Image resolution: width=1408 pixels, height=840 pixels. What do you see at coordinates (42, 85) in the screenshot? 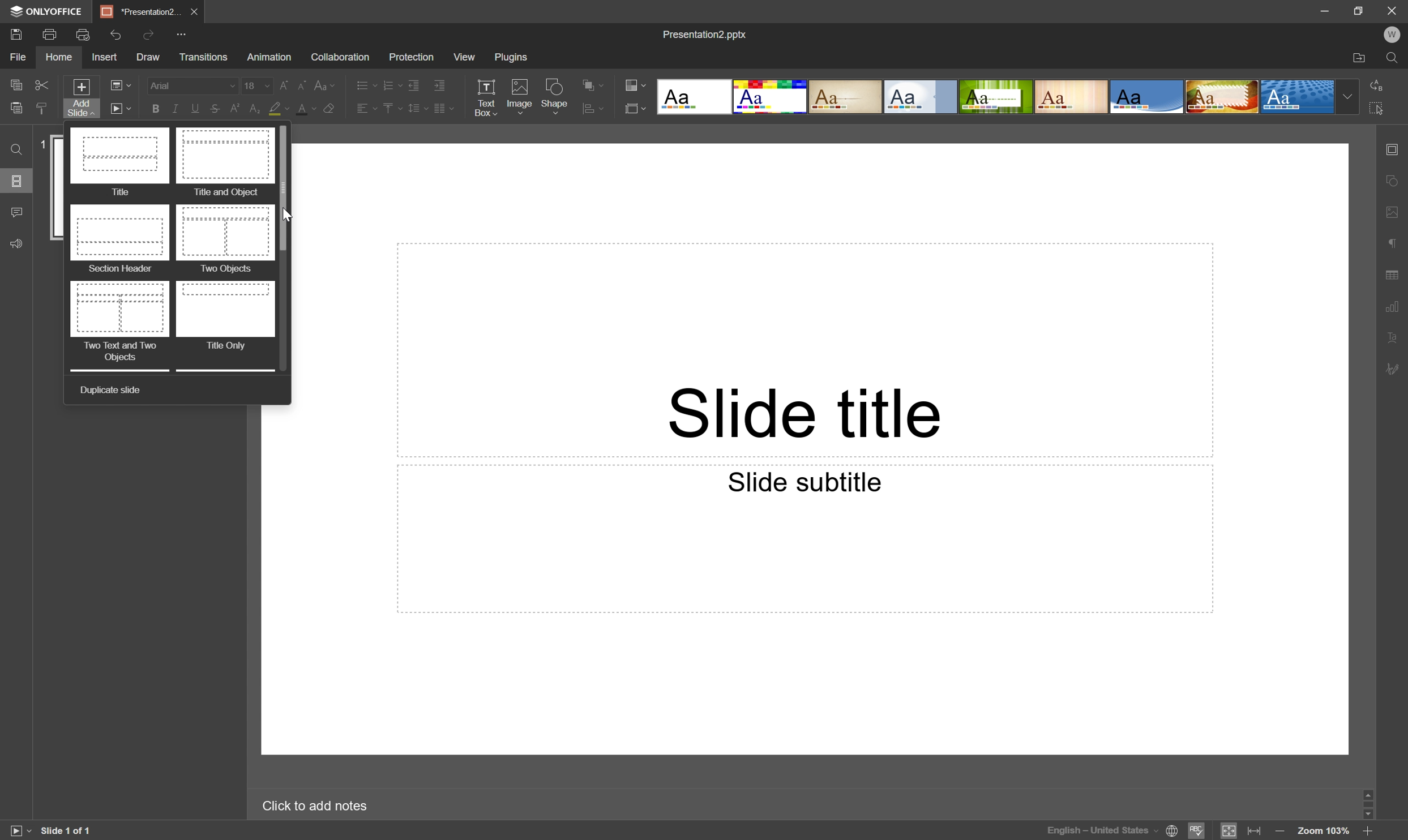
I see `Cut` at bounding box center [42, 85].